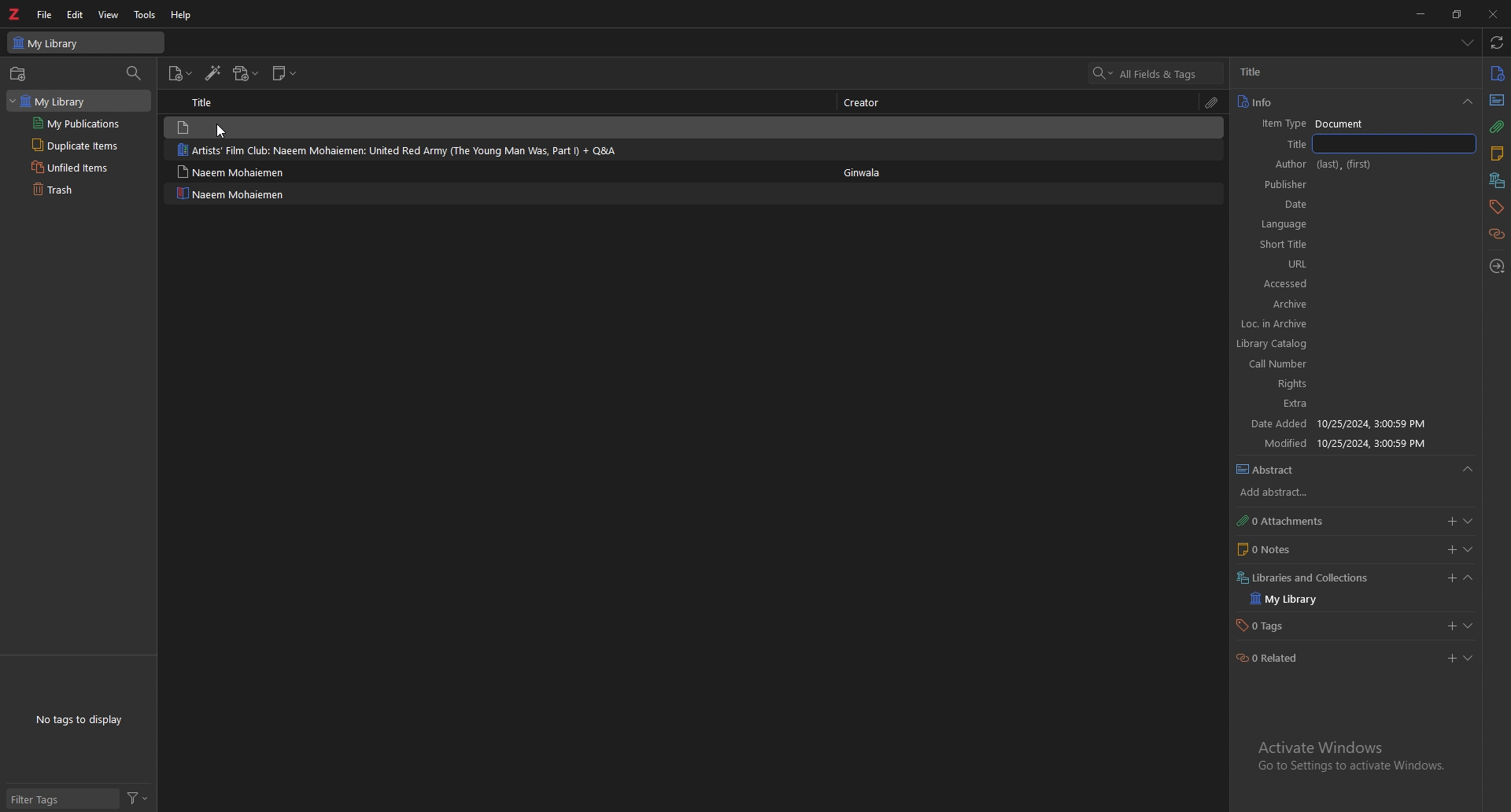 Image resolution: width=1511 pixels, height=812 pixels. What do you see at coordinates (146, 14) in the screenshot?
I see `tools` at bounding box center [146, 14].